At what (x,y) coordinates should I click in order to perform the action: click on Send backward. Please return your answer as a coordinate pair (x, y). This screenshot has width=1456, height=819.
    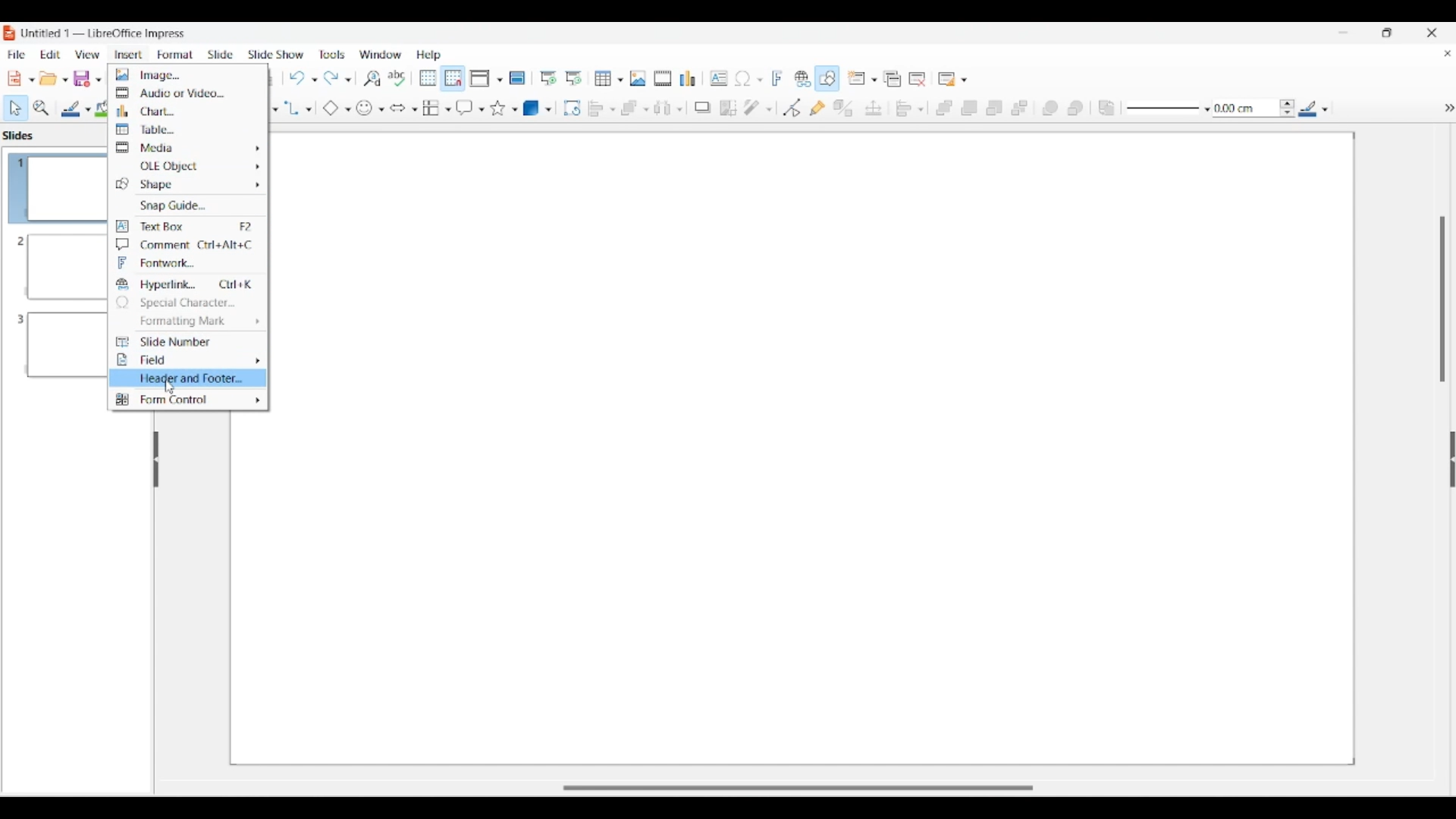
    Looking at the image, I should click on (995, 108).